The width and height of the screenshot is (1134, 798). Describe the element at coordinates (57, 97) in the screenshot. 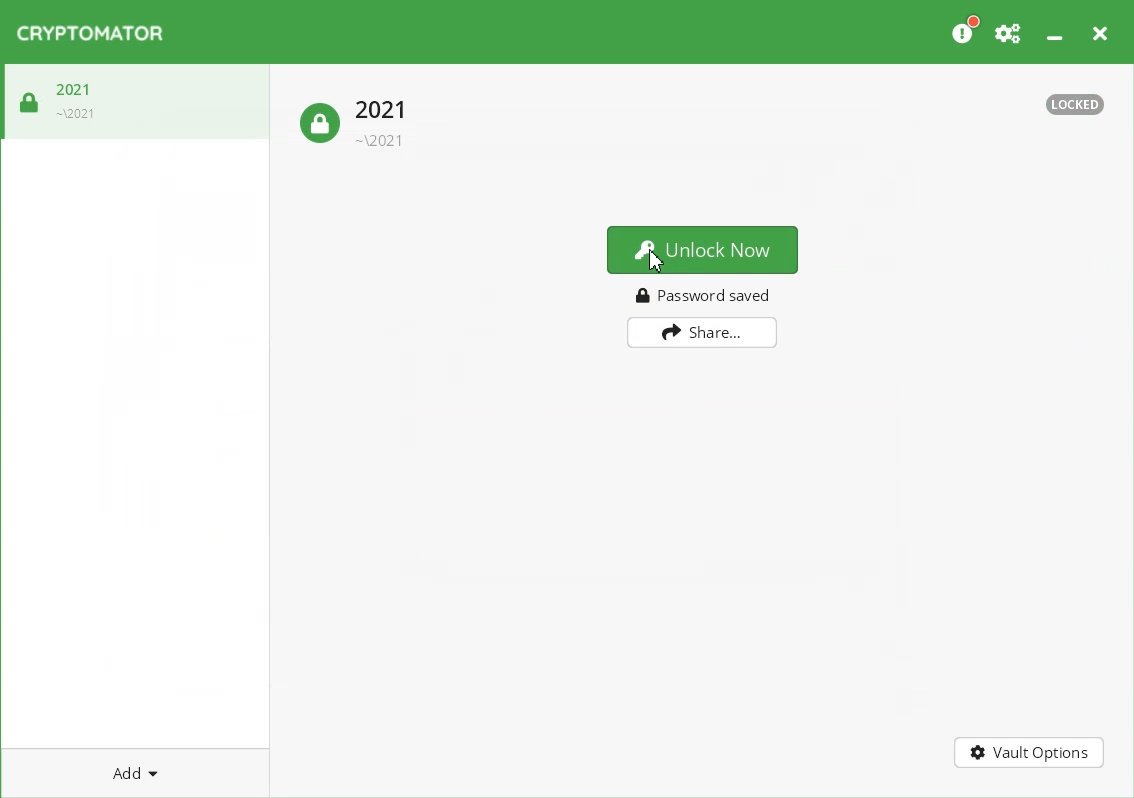

I see `Unlock Vault` at that location.